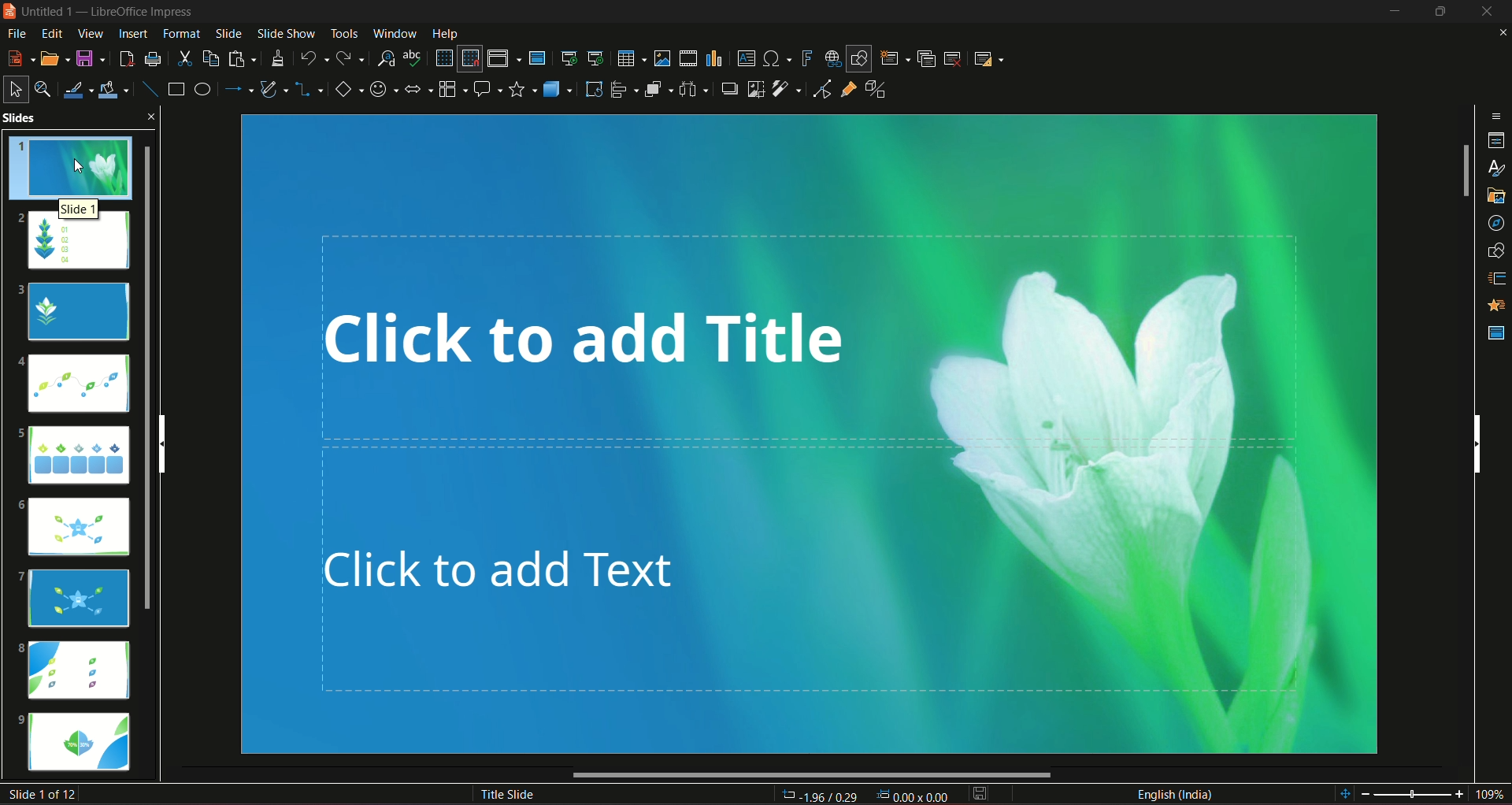 Image resolution: width=1512 pixels, height=805 pixels. What do you see at coordinates (452, 87) in the screenshot?
I see `flowchart` at bounding box center [452, 87].